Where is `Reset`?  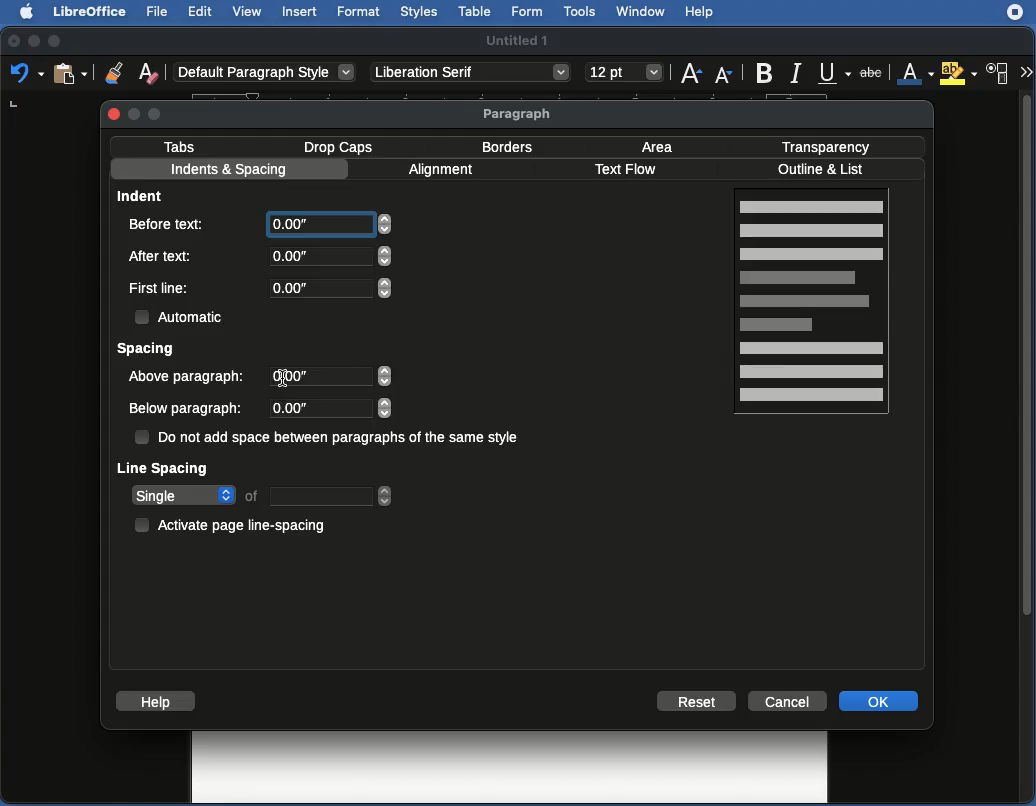 Reset is located at coordinates (697, 701).